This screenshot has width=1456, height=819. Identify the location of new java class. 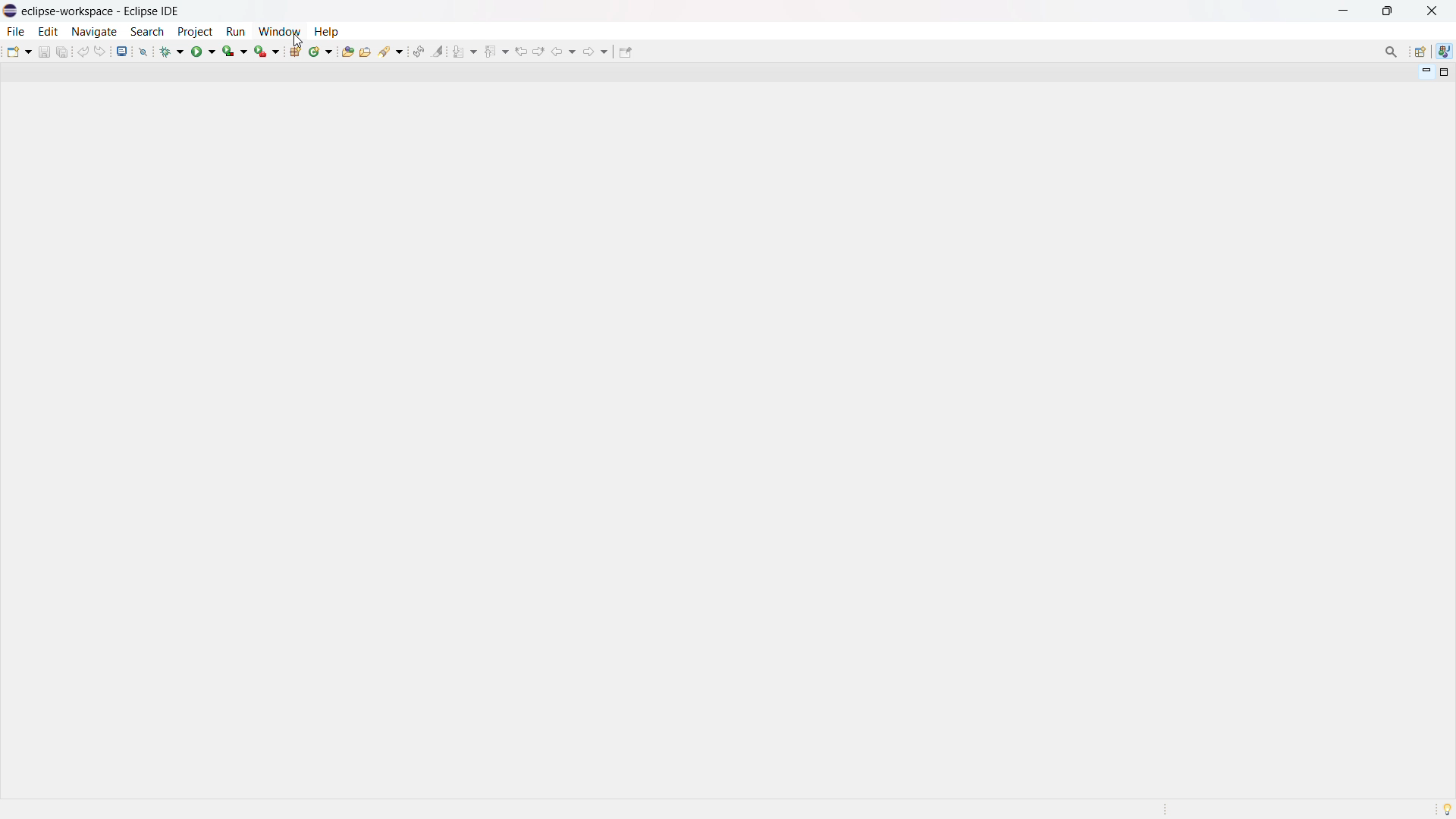
(322, 51).